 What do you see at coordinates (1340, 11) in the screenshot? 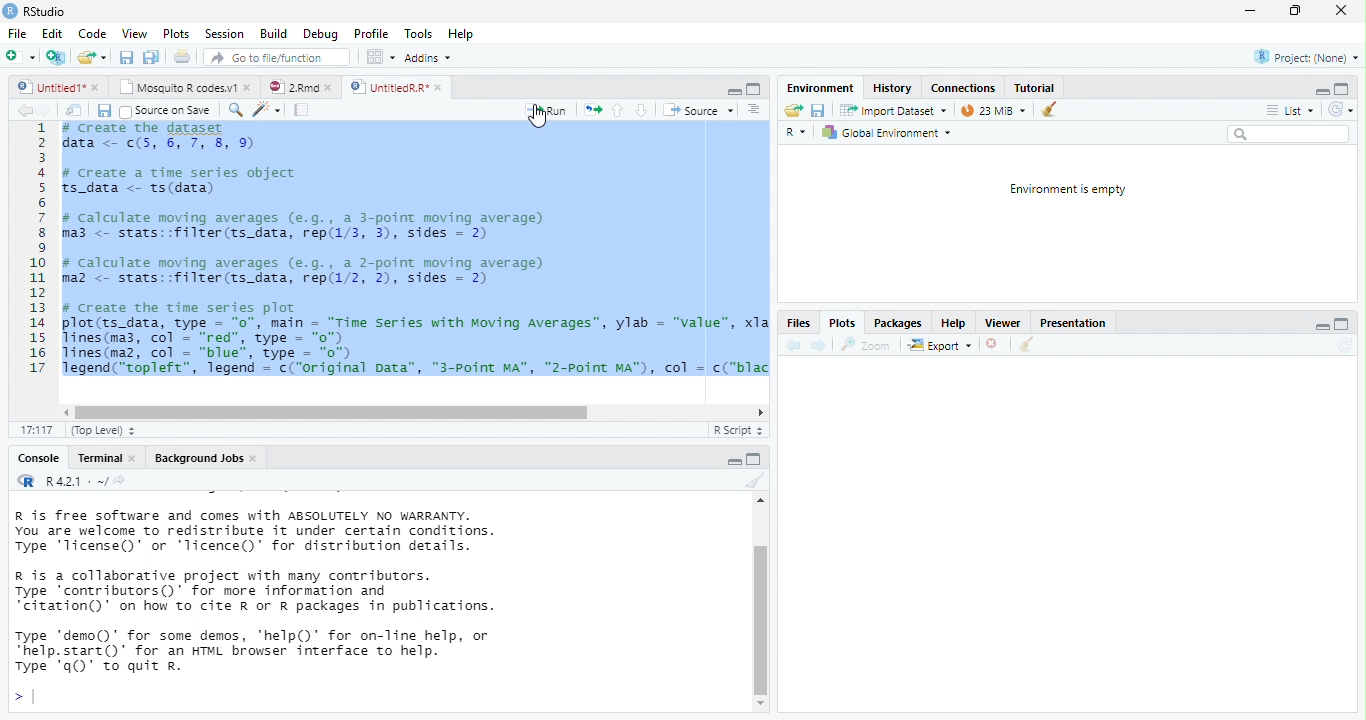
I see `close` at bounding box center [1340, 11].